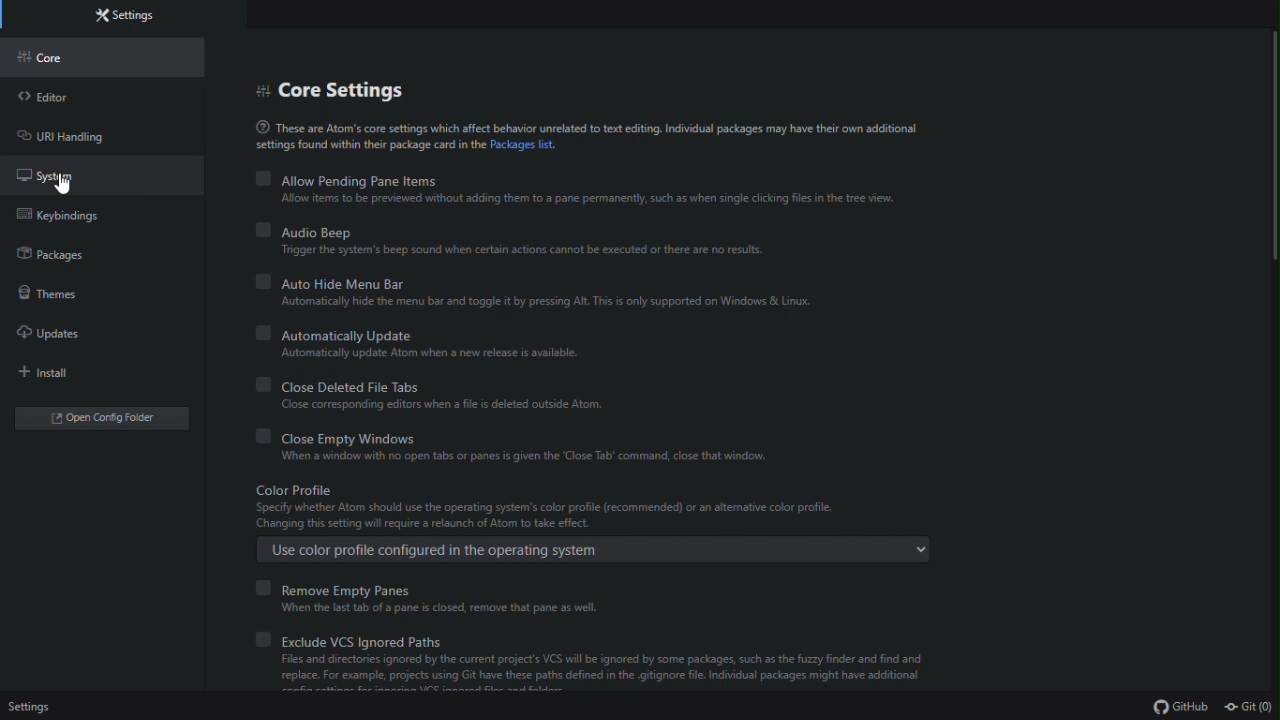  Describe the element at coordinates (1272, 164) in the screenshot. I see `scrollbar` at that location.